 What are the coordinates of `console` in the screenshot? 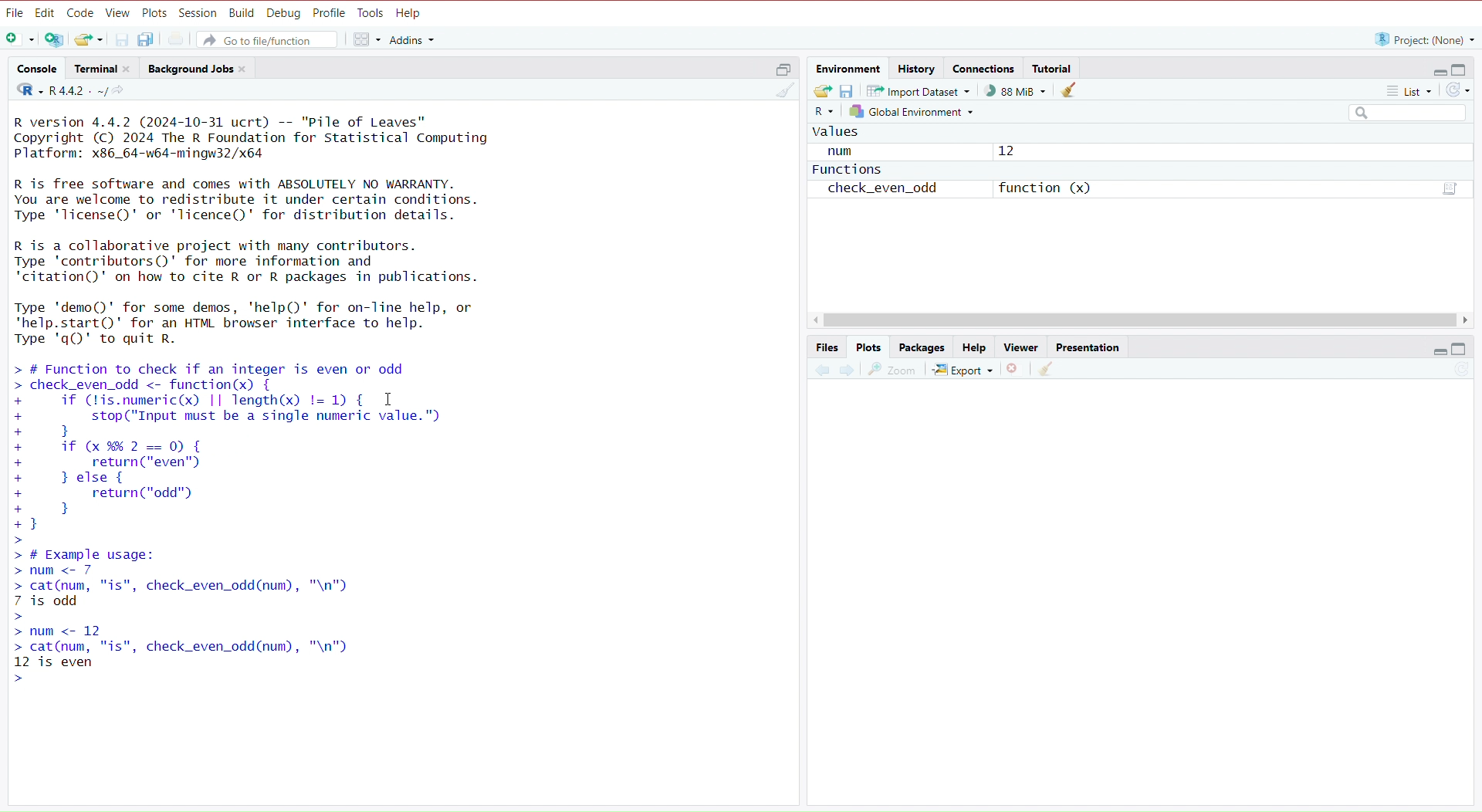 It's located at (36, 69).